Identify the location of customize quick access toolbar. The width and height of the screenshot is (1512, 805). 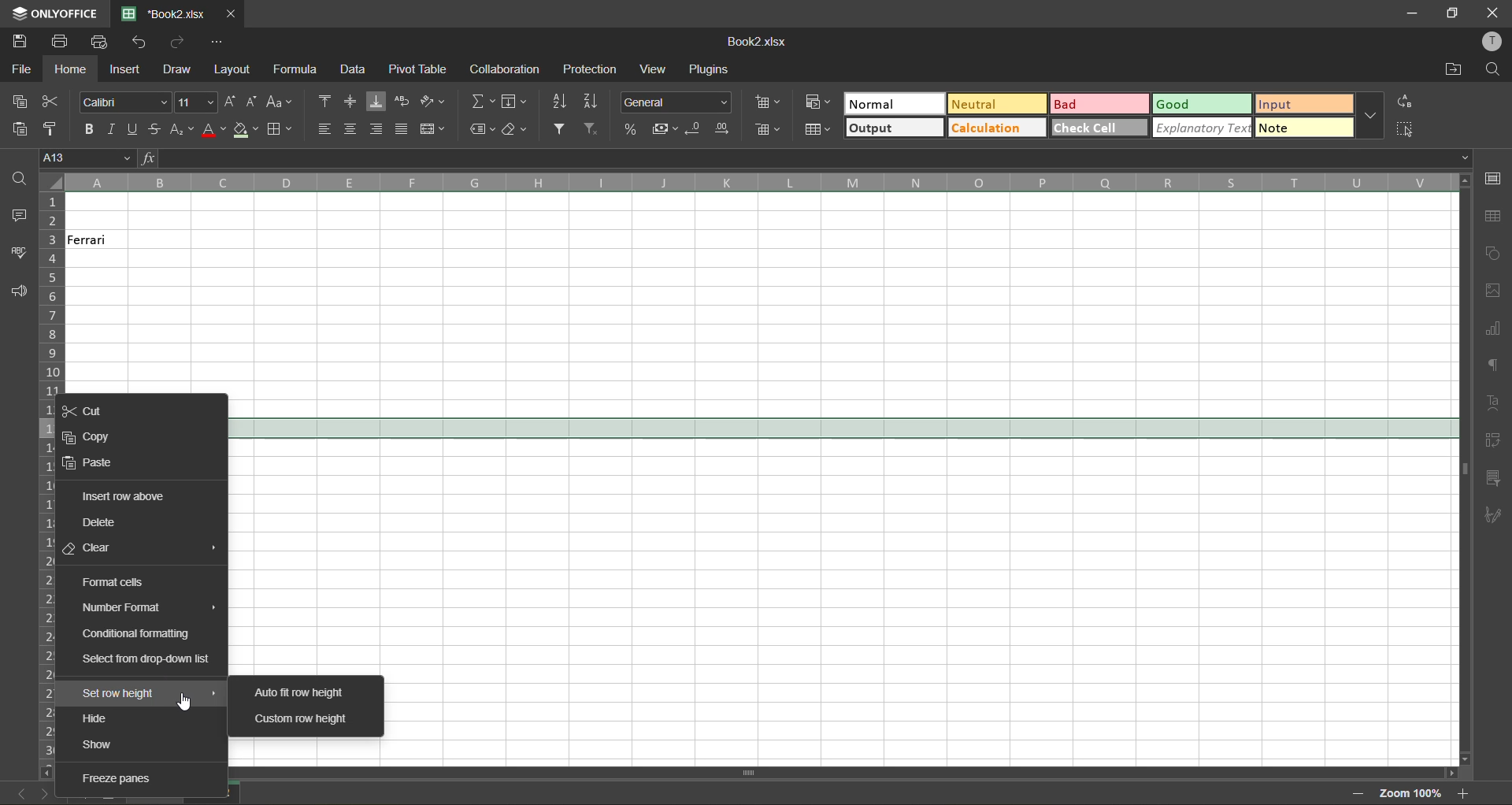
(215, 41).